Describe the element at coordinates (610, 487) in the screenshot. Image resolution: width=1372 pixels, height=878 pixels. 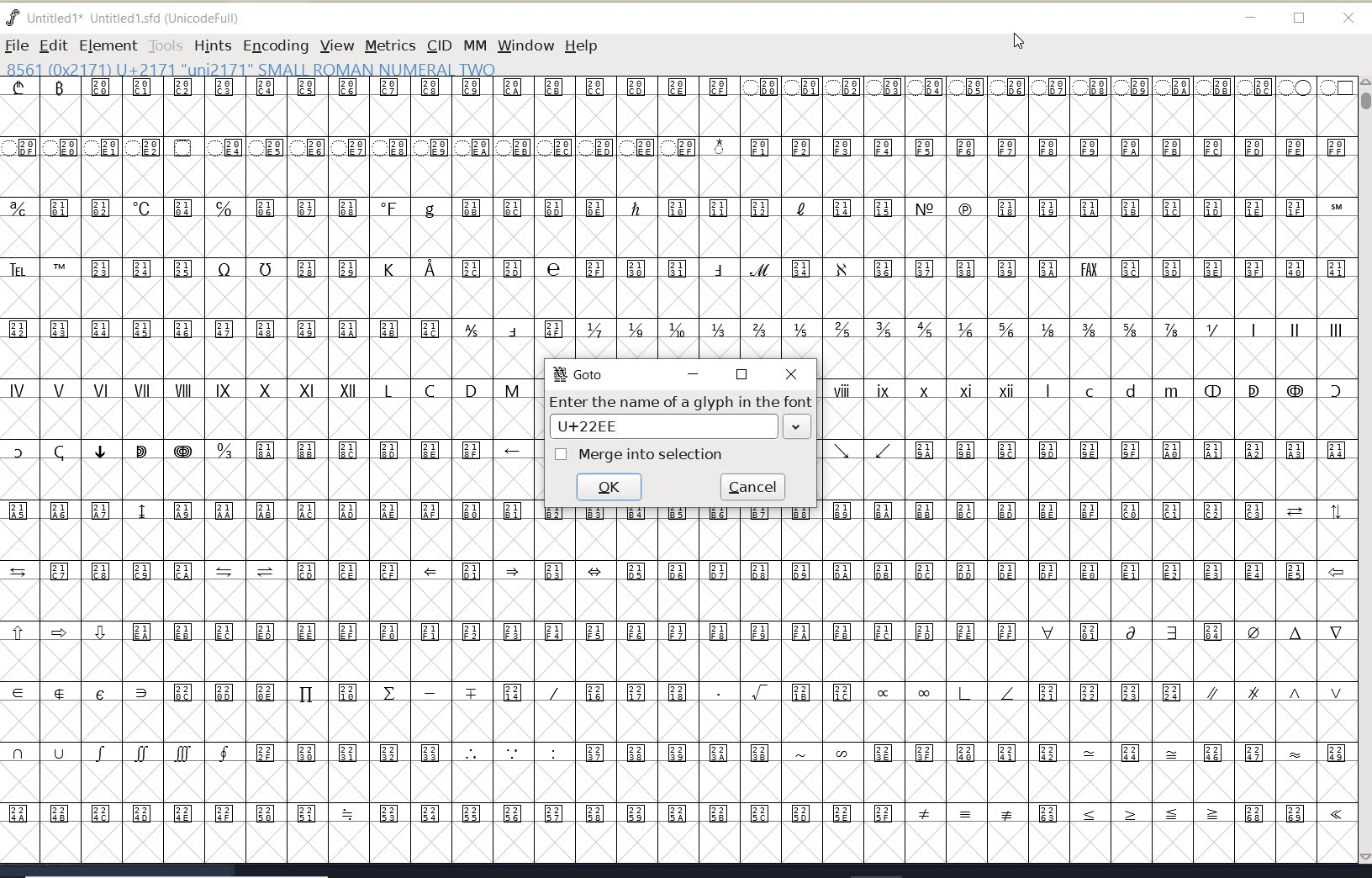
I see `ok` at that location.